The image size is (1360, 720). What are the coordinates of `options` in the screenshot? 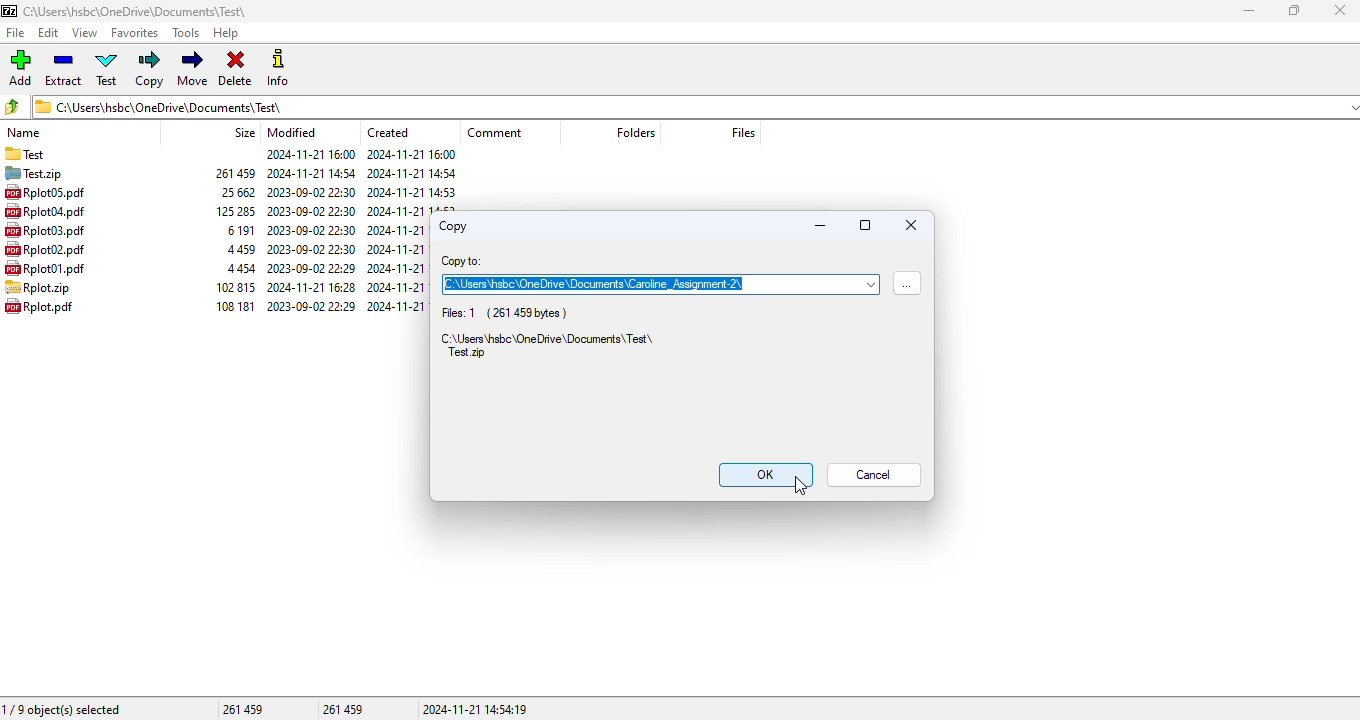 It's located at (870, 284).